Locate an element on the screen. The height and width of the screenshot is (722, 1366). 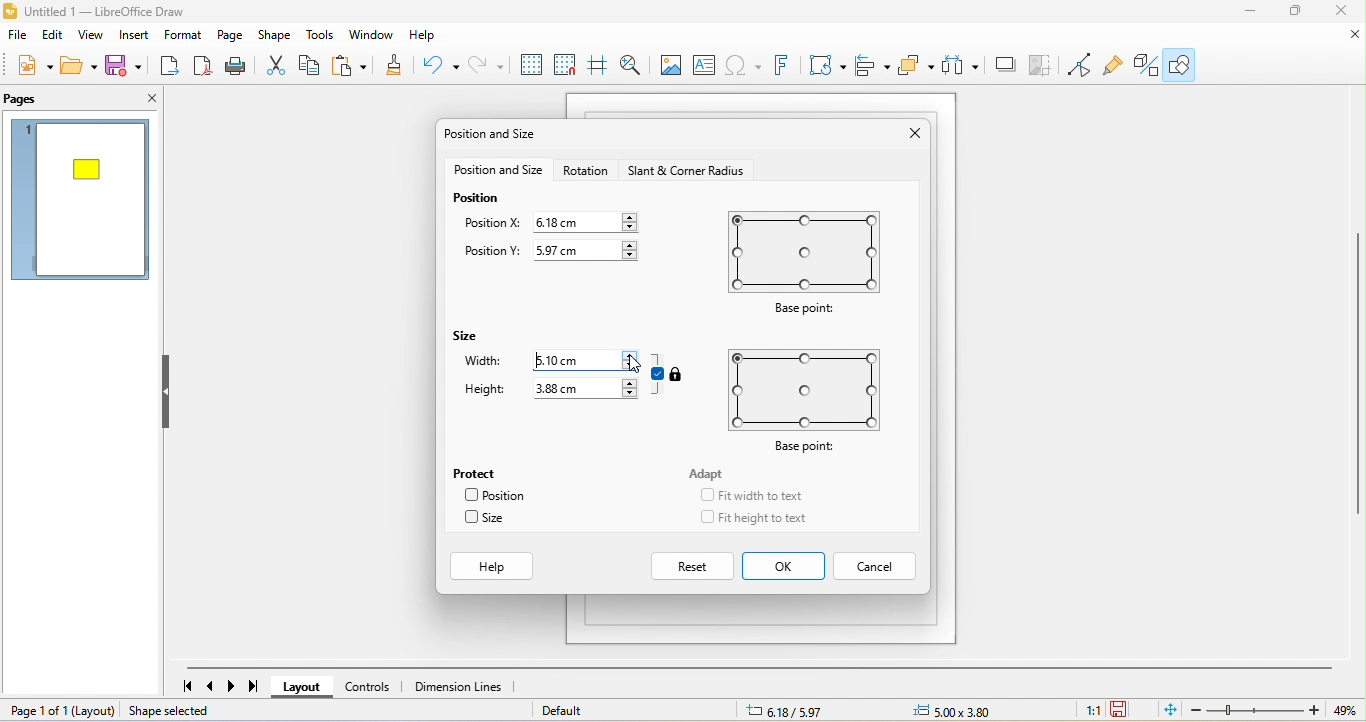
maximize is located at coordinates (1293, 13).